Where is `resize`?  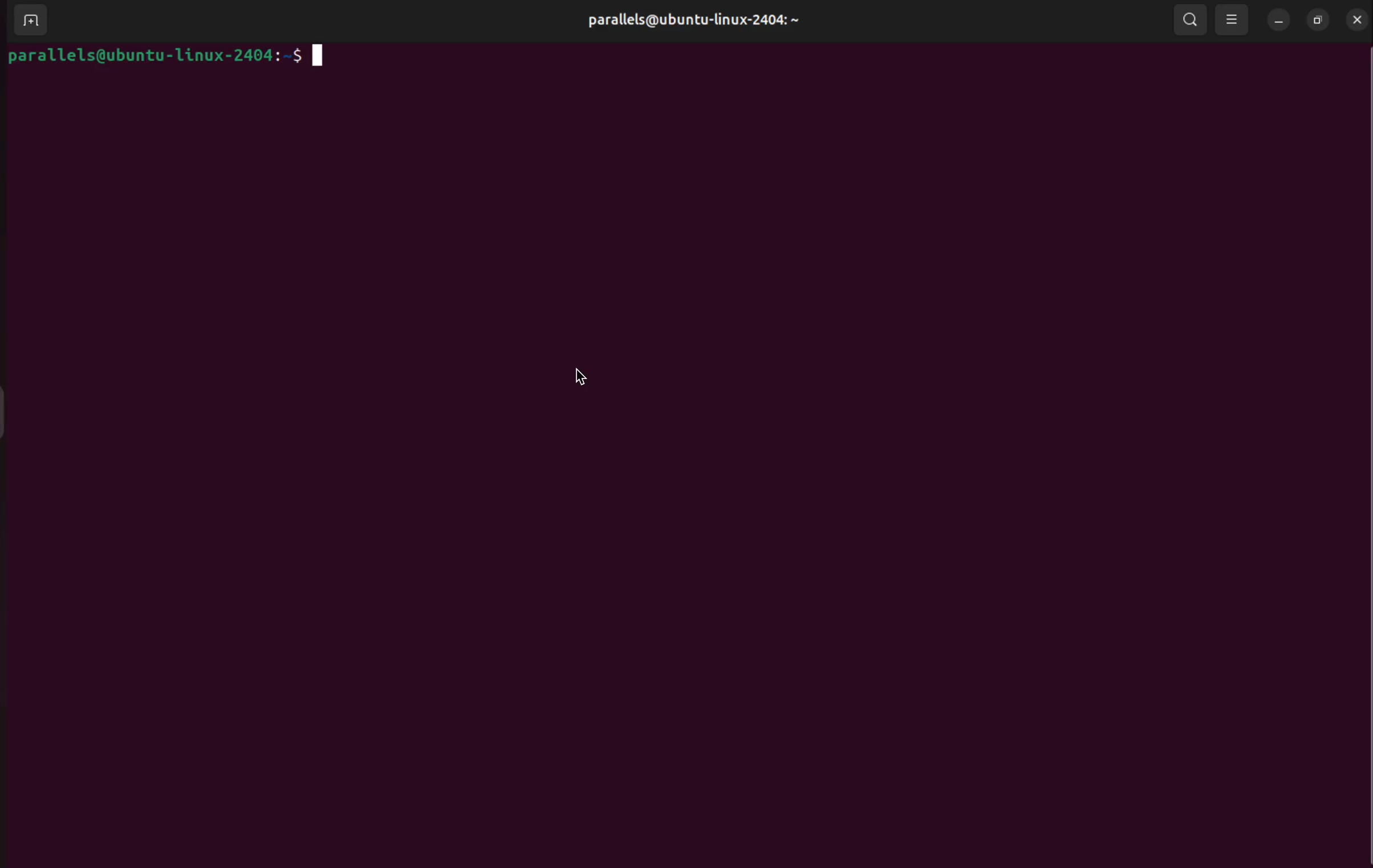 resize is located at coordinates (1319, 21).